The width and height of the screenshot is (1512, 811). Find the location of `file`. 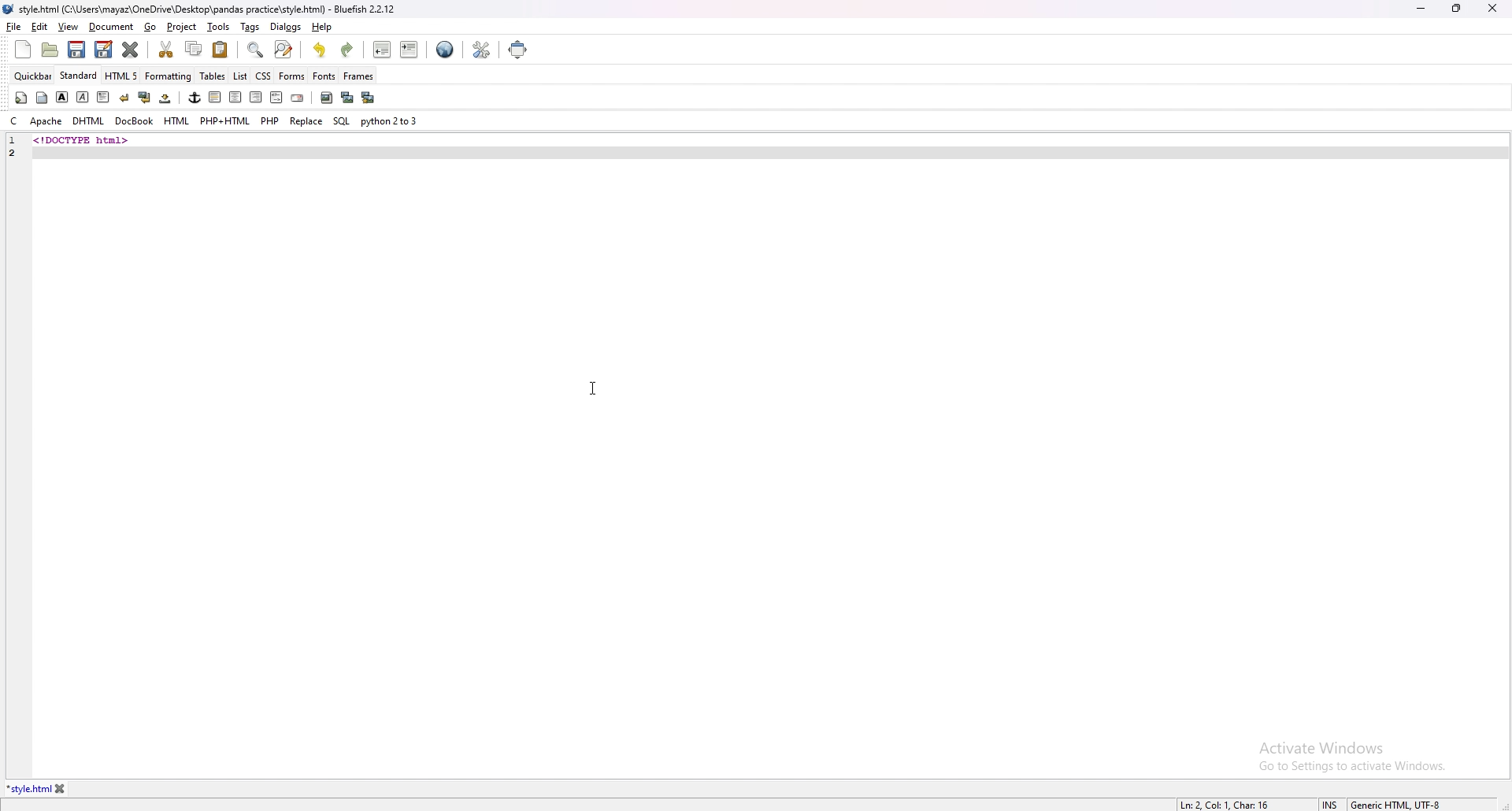

file is located at coordinates (14, 26).